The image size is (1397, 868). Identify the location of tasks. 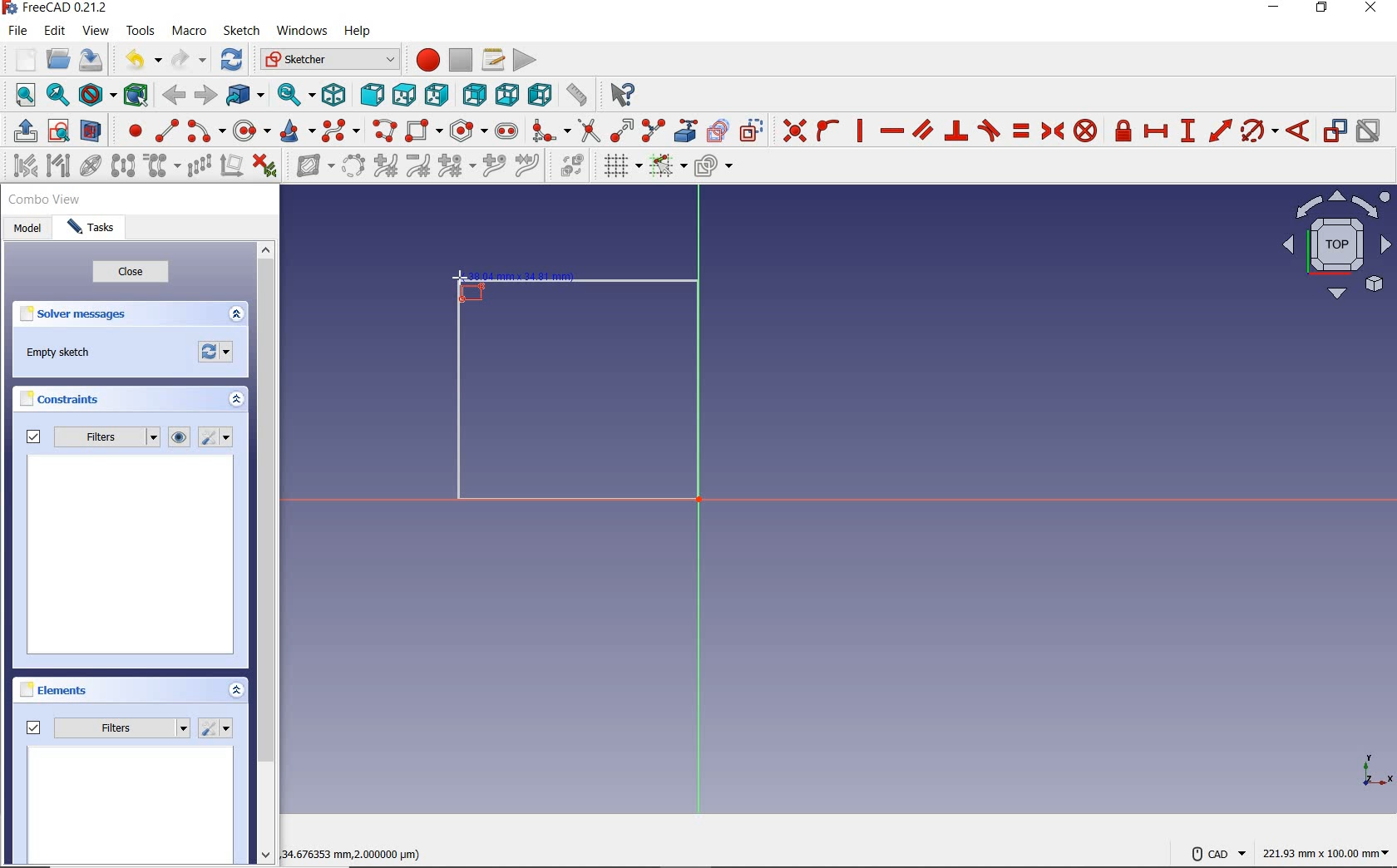
(96, 229).